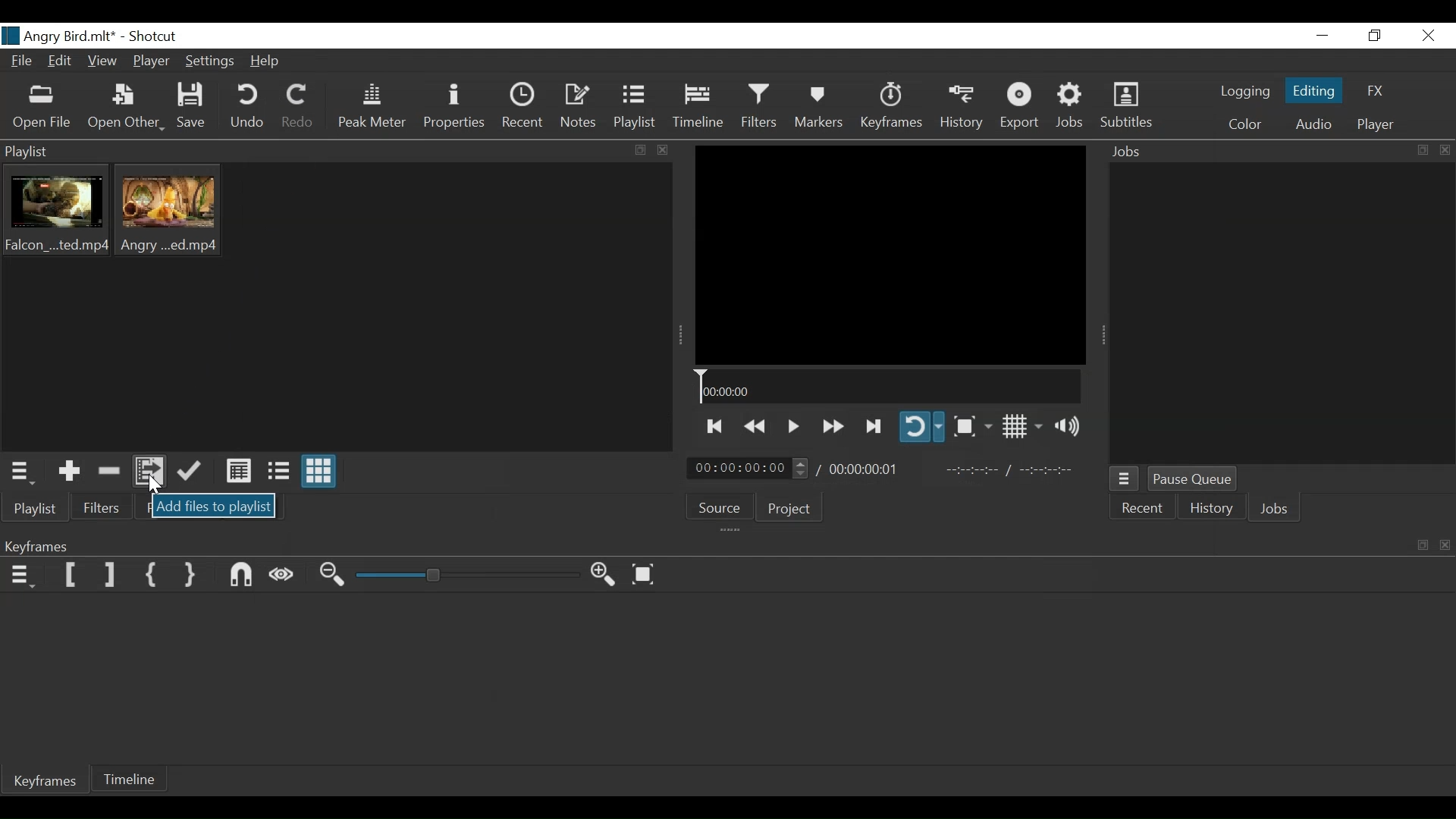  I want to click on Jobs Panel, so click(1281, 315).